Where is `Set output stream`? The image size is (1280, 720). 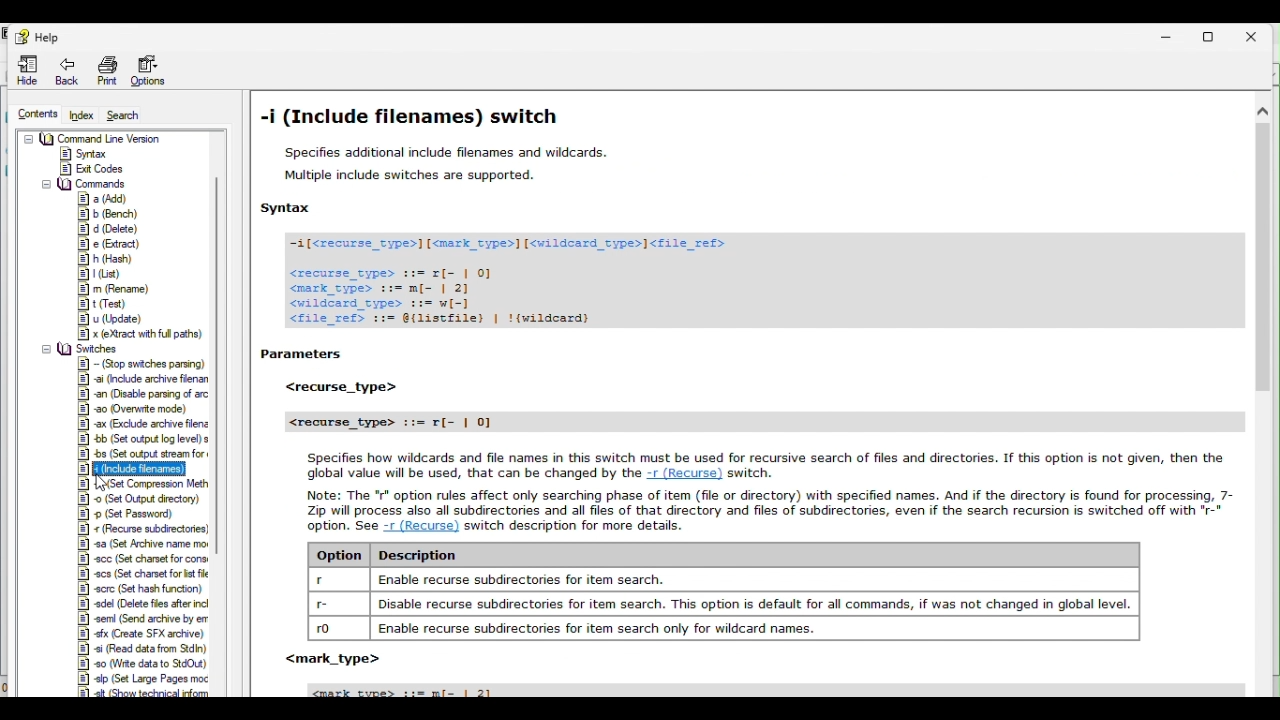
Set output stream is located at coordinates (143, 454).